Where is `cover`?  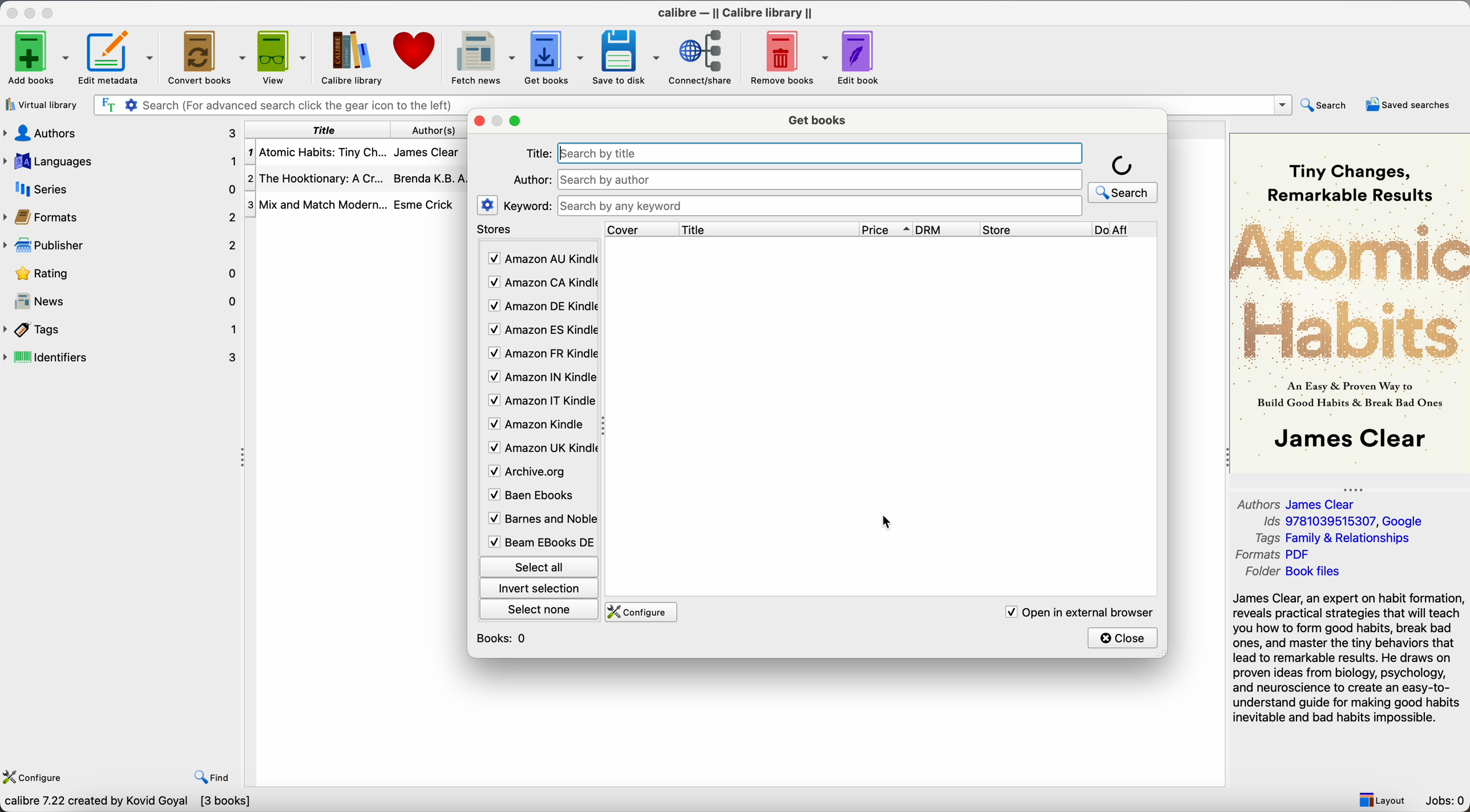
cover is located at coordinates (637, 229).